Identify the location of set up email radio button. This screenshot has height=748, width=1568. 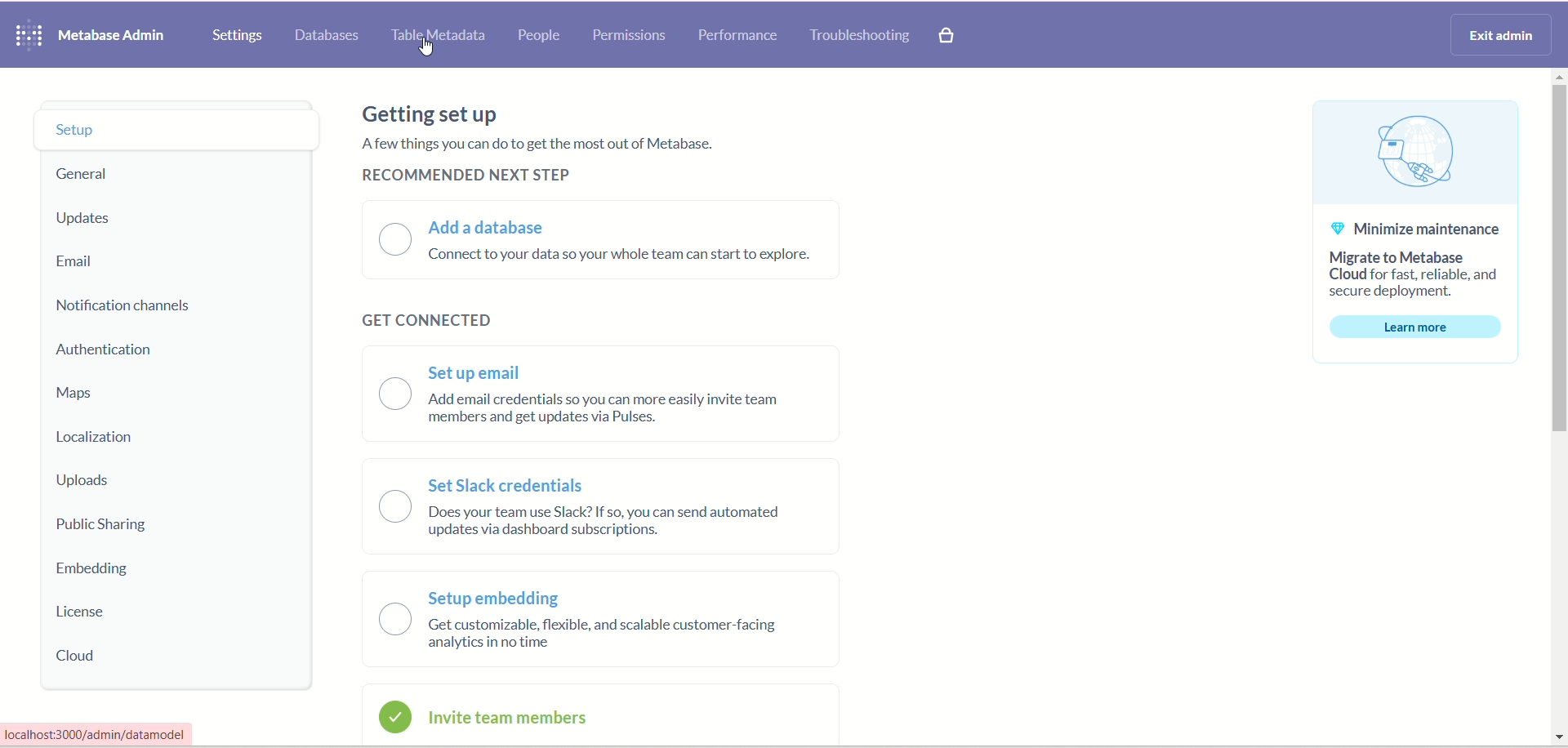
(380, 396).